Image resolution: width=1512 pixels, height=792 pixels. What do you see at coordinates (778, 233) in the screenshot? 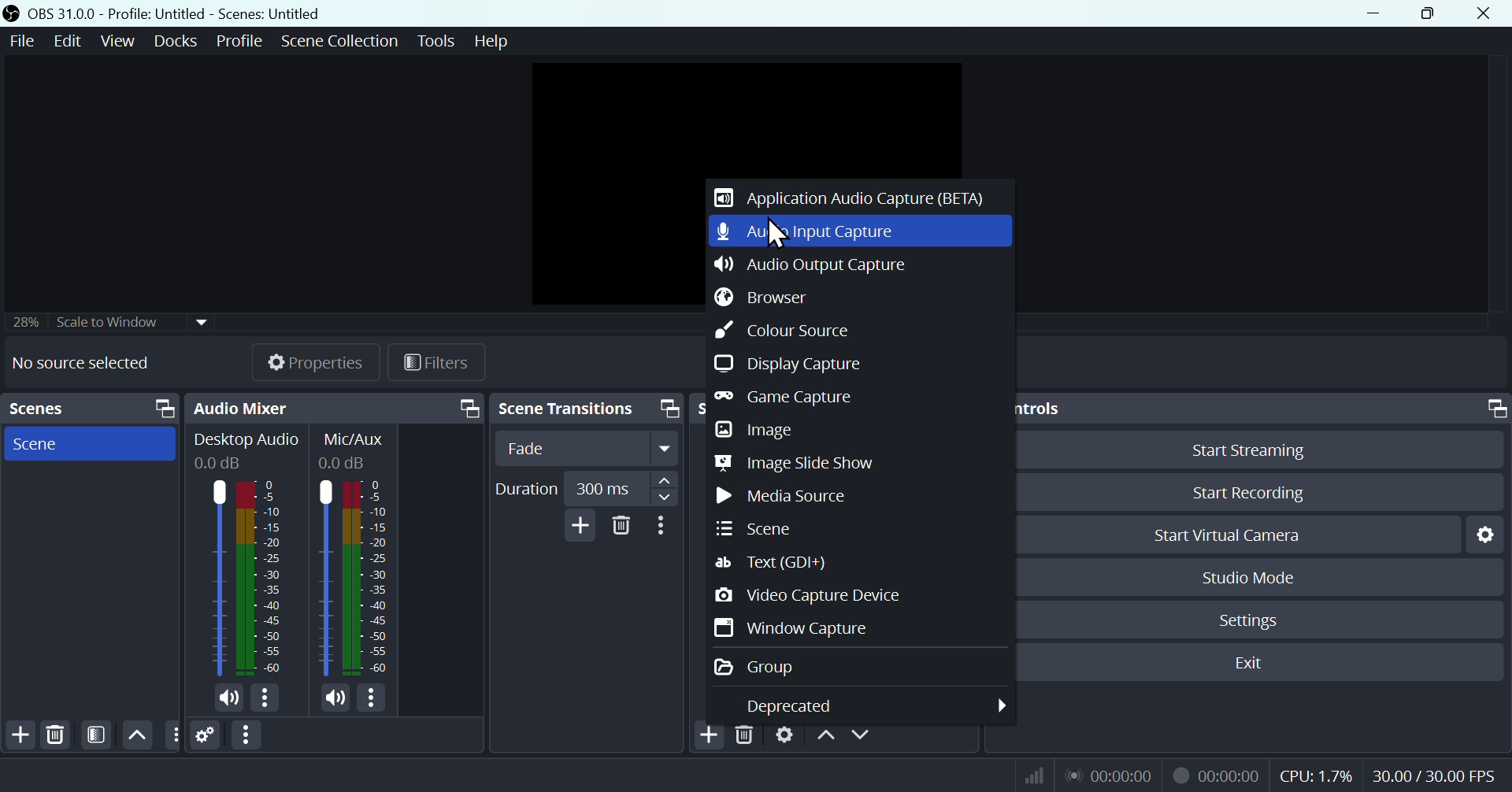
I see `Cursor` at bounding box center [778, 233].